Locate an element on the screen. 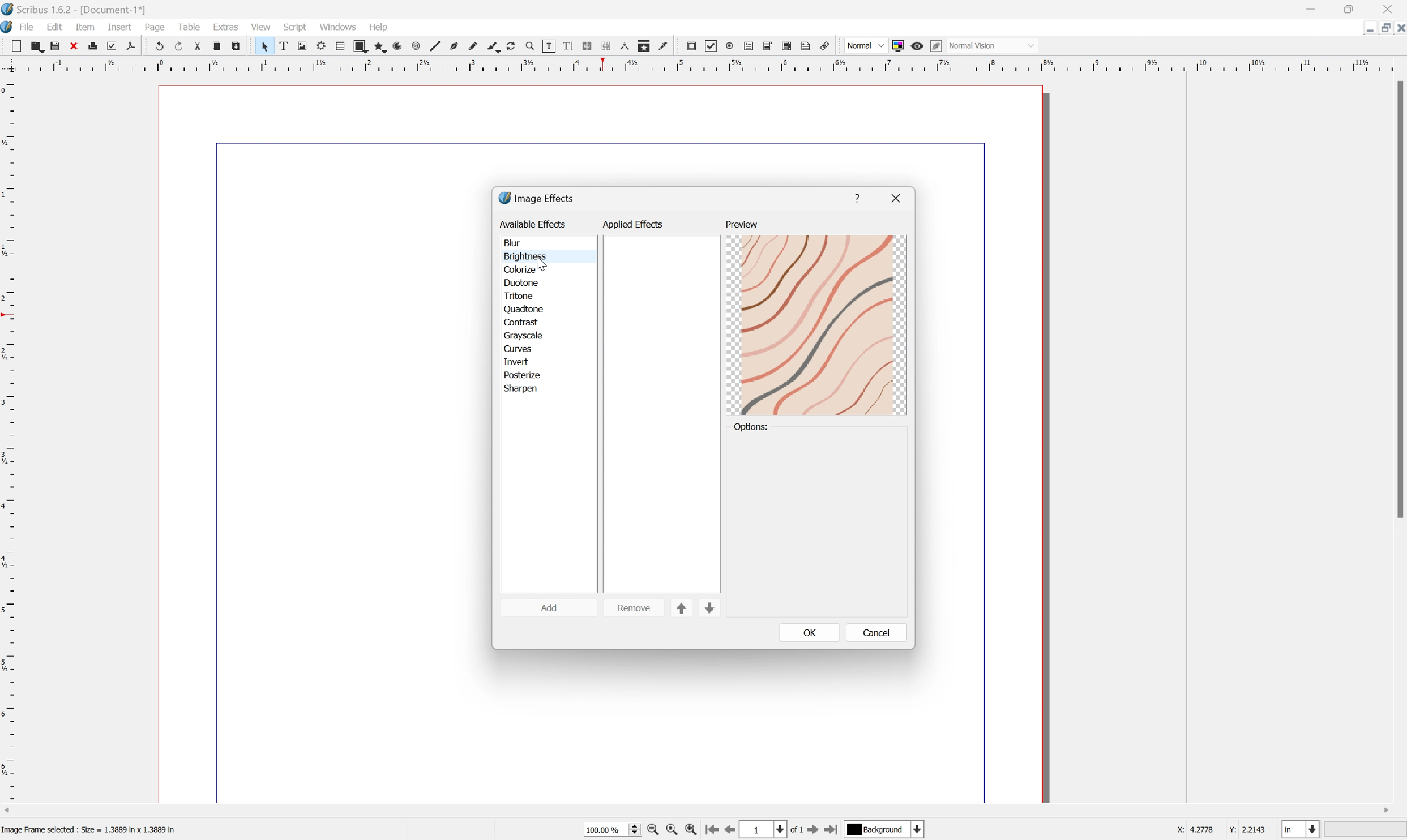 The image size is (1407, 840). Freehand line is located at coordinates (476, 44).